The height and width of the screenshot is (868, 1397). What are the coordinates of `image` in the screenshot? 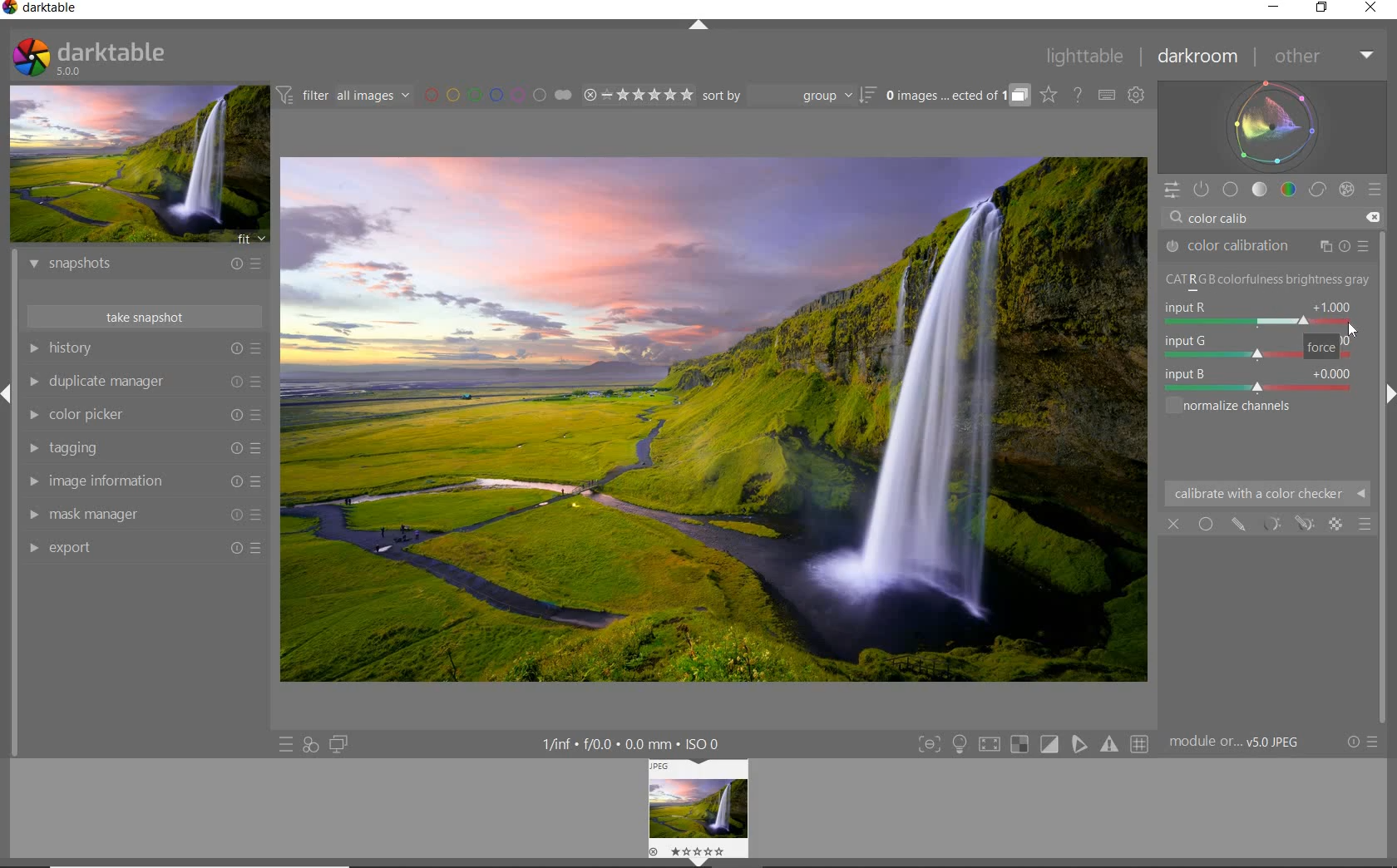 It's located at (701, 805).